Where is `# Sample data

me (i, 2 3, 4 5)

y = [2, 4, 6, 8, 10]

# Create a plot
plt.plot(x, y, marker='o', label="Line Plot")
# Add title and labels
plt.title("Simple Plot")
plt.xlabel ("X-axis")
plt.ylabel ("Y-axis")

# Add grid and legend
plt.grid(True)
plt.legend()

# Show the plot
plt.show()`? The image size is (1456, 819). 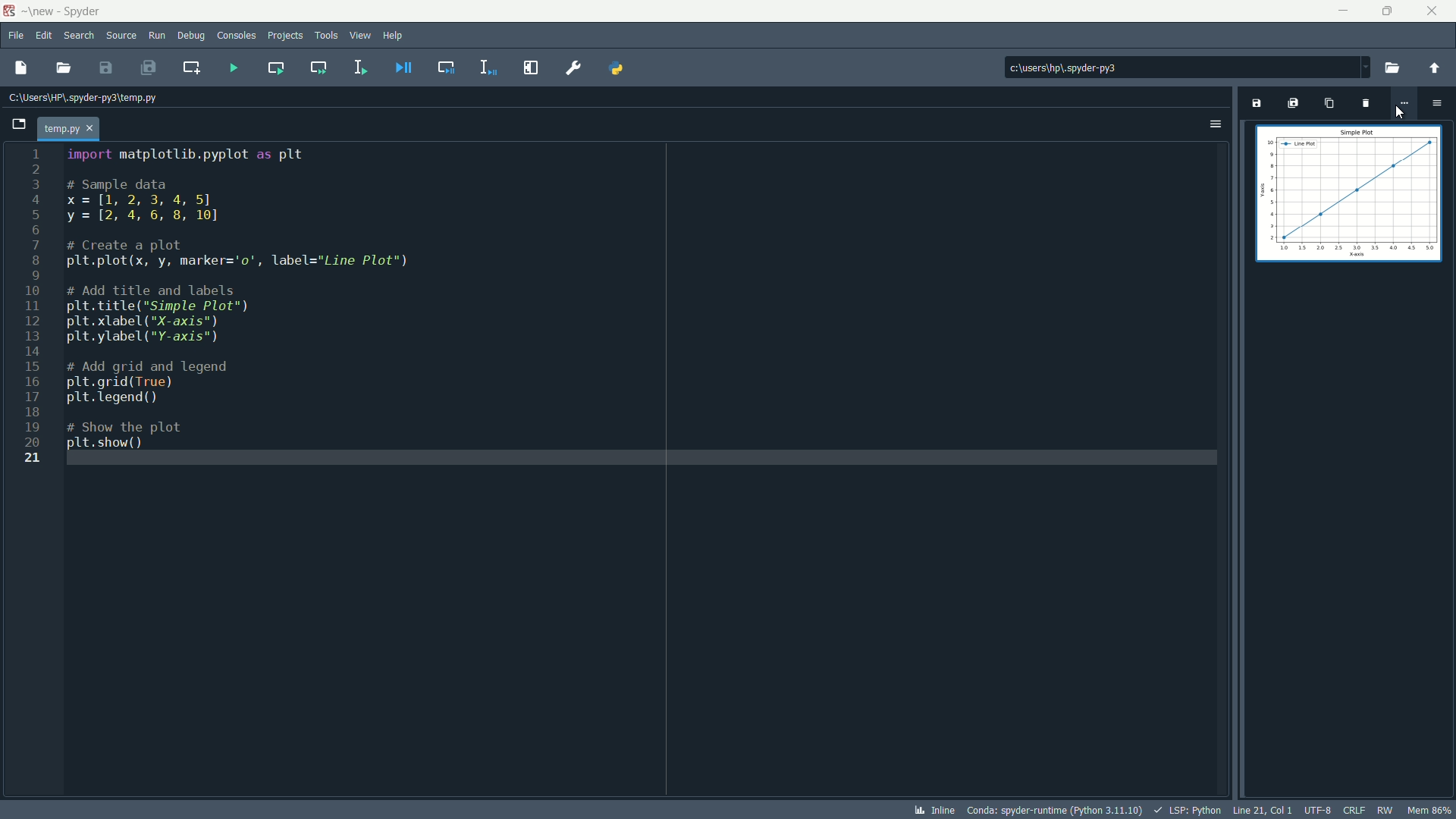
# Sample data

me (i, 2 3, 4 5)

y = [2, 4, 6, 8, 10]

# Create a plot
plt.plot(x, y, marker='o', label="Line Plot")
# Add title and labels
plt.title("Simple Plot")
plt.xlabel ("X-axis")
plt.ylabel ("Y-axis")

# Add grid and legend
plt.grid(True)
plt.legend()

# Show the plot
plt.show() is located at coordinates (259, 319).